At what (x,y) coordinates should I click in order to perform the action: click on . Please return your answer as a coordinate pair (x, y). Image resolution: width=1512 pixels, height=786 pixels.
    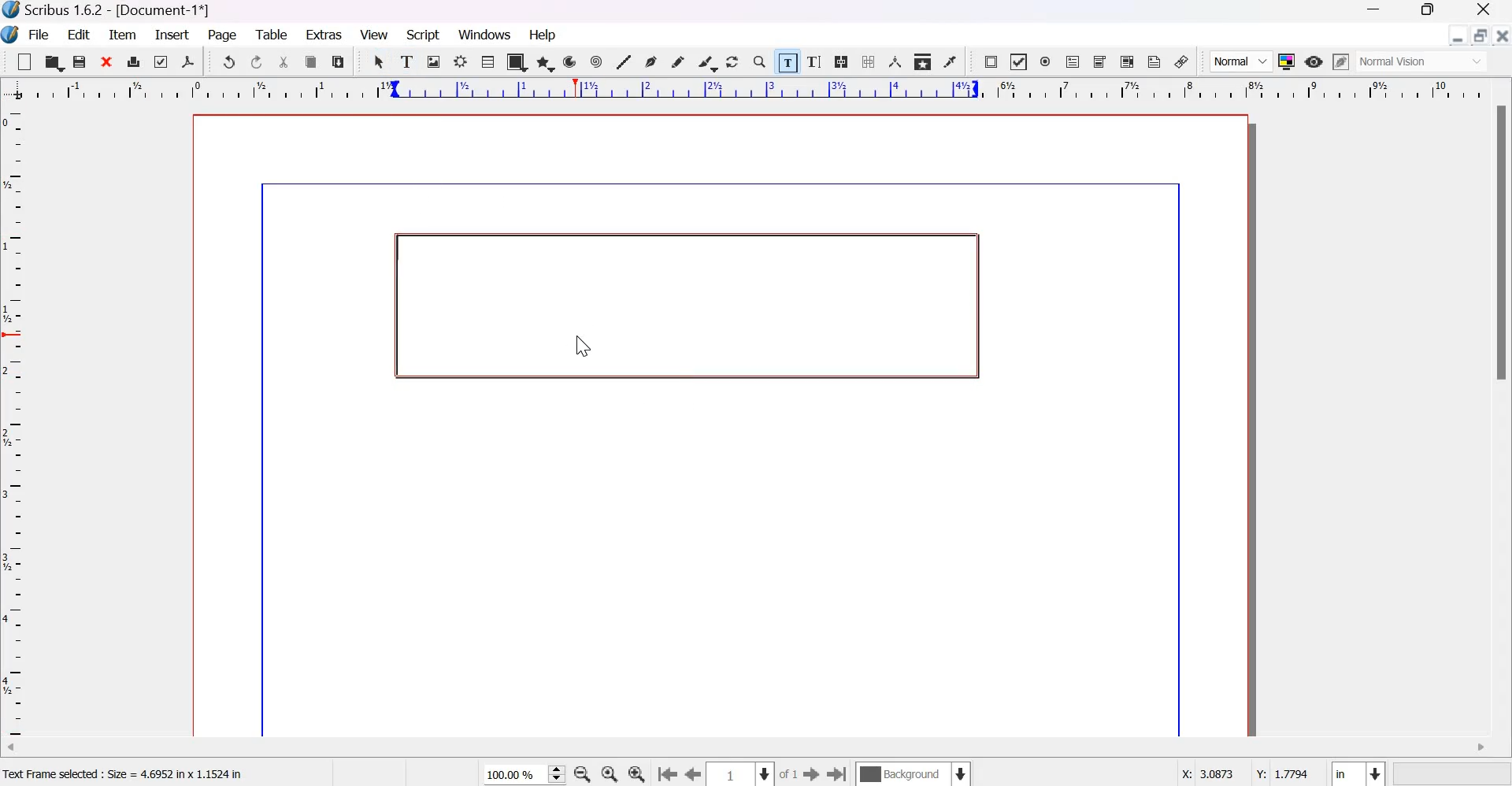
    Looking at the image, I should click on (759, 61).